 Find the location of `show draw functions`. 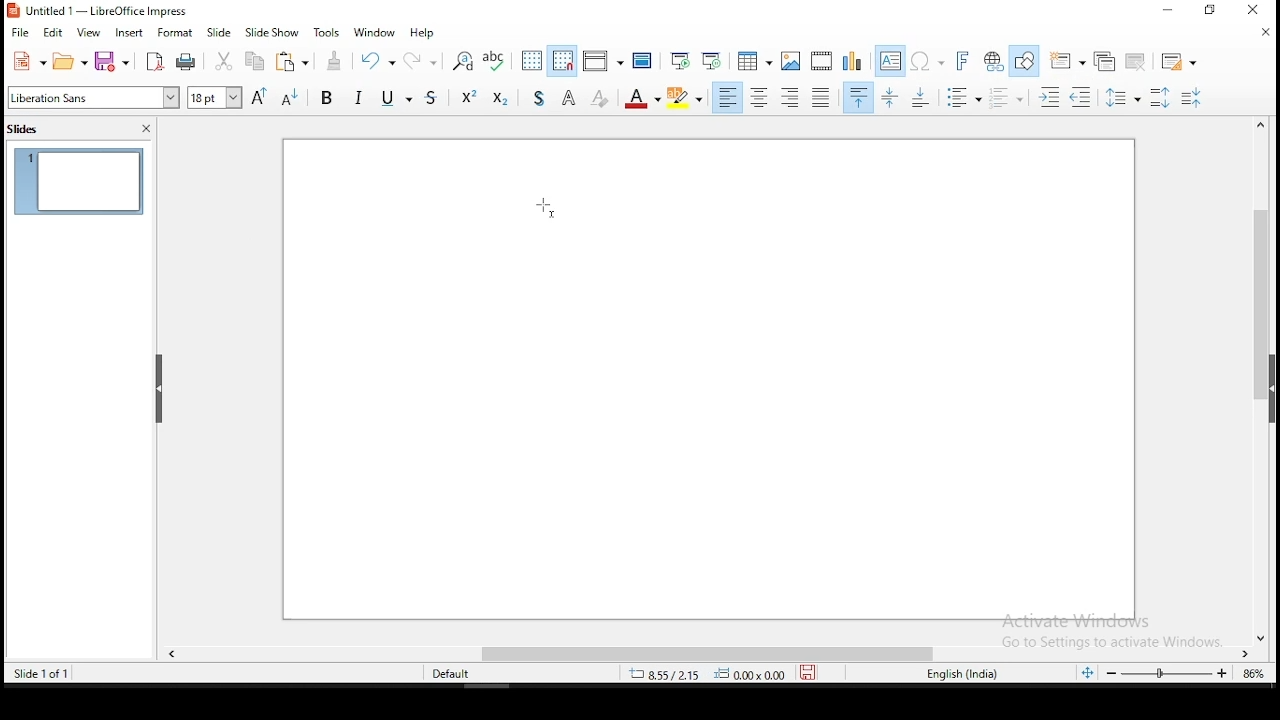

show draw functions is located at coordinates (1024, 60).